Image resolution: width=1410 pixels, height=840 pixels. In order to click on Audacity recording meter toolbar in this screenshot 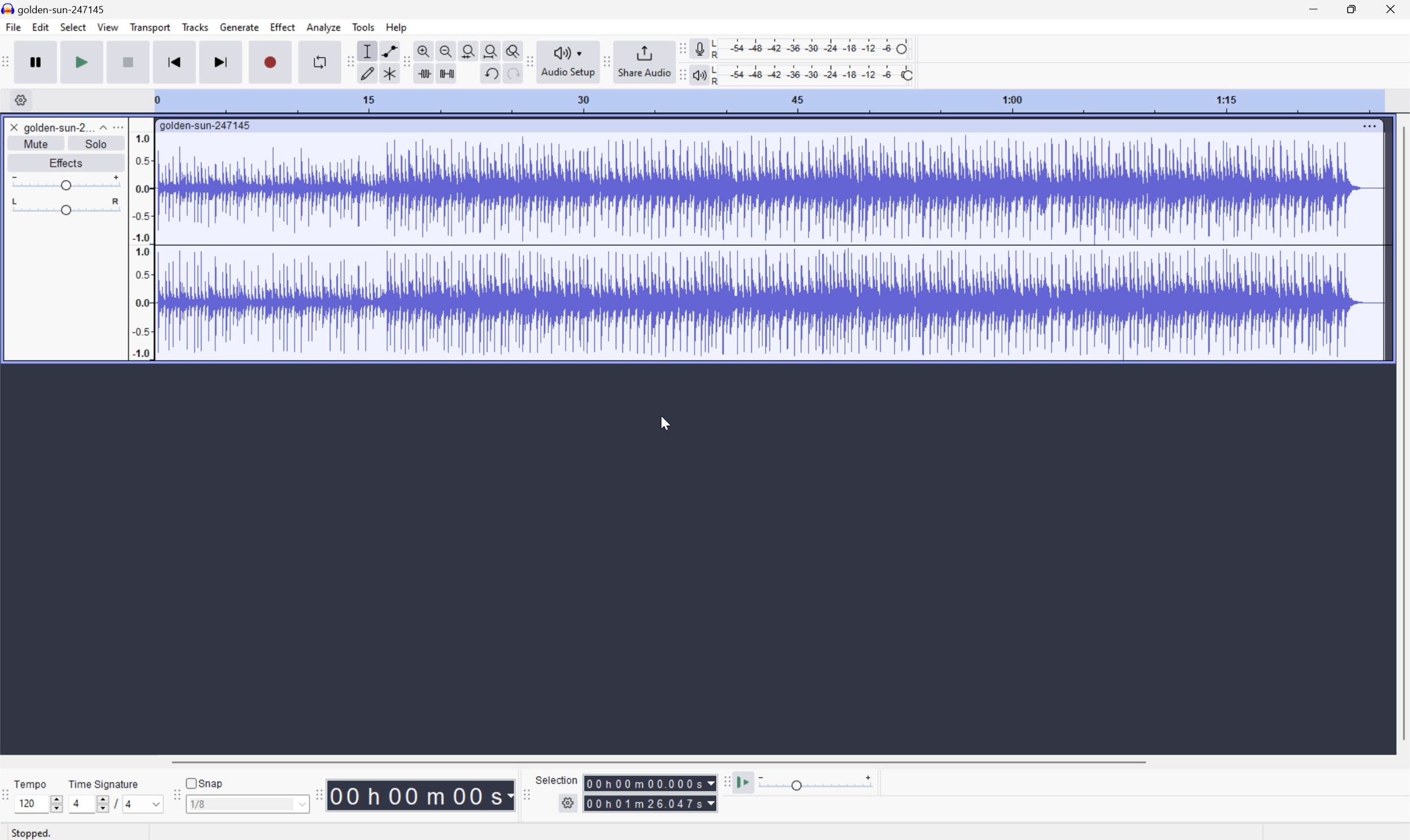, I will do `click(680, 48)`.